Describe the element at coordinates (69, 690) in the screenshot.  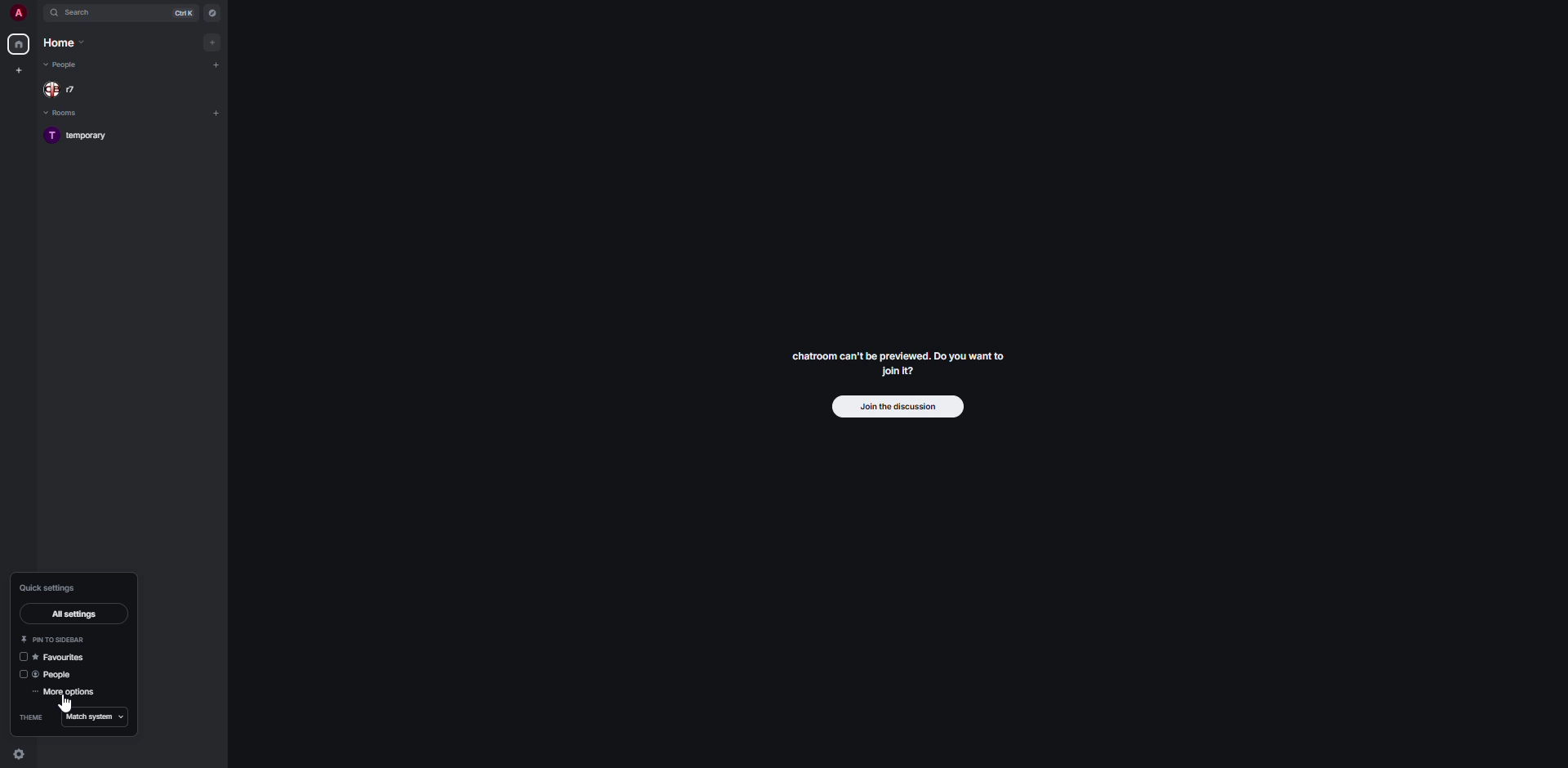
I see `more options` at that location.